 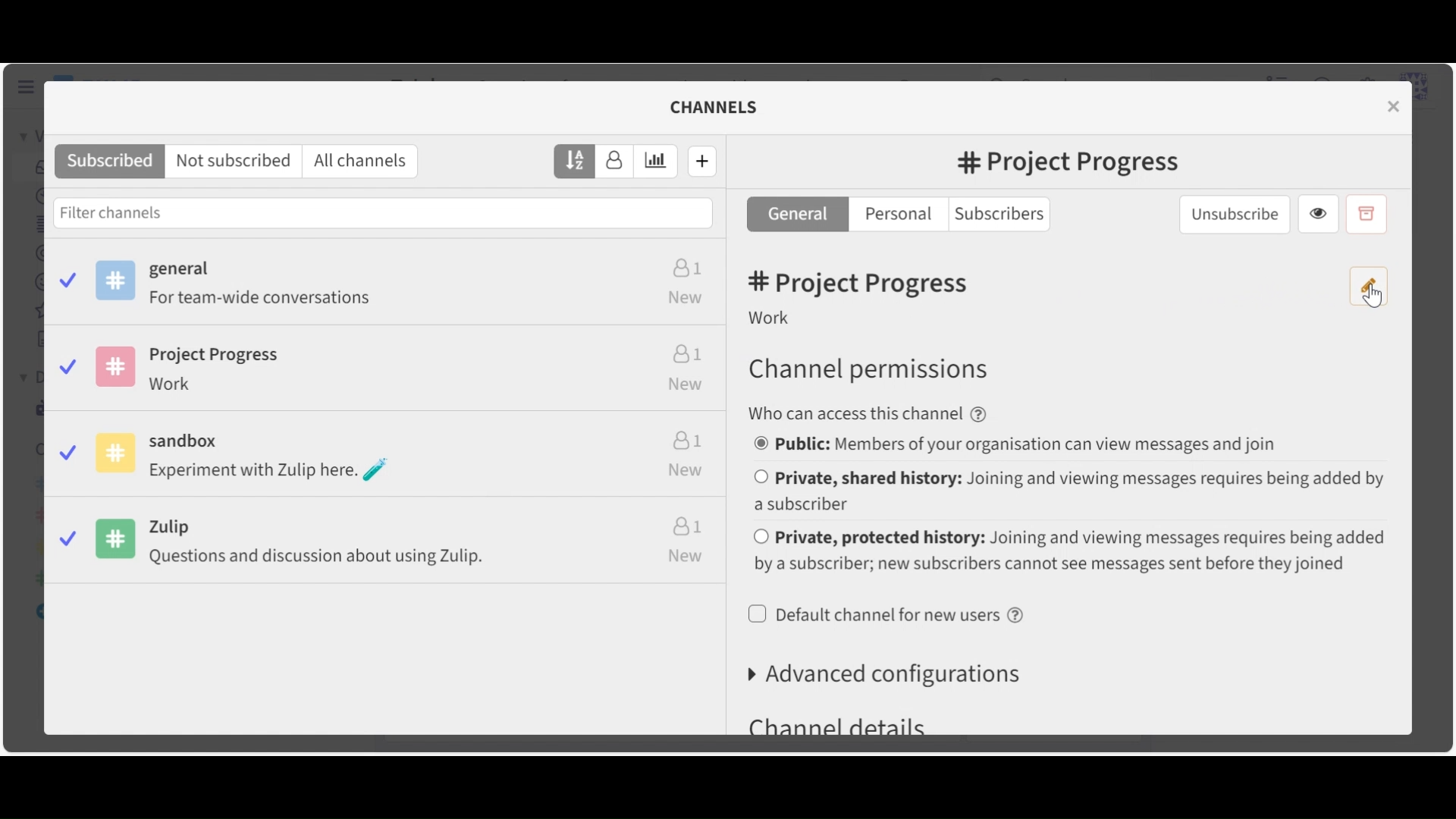 I want to click on All channels, so click(x=361, y=162).